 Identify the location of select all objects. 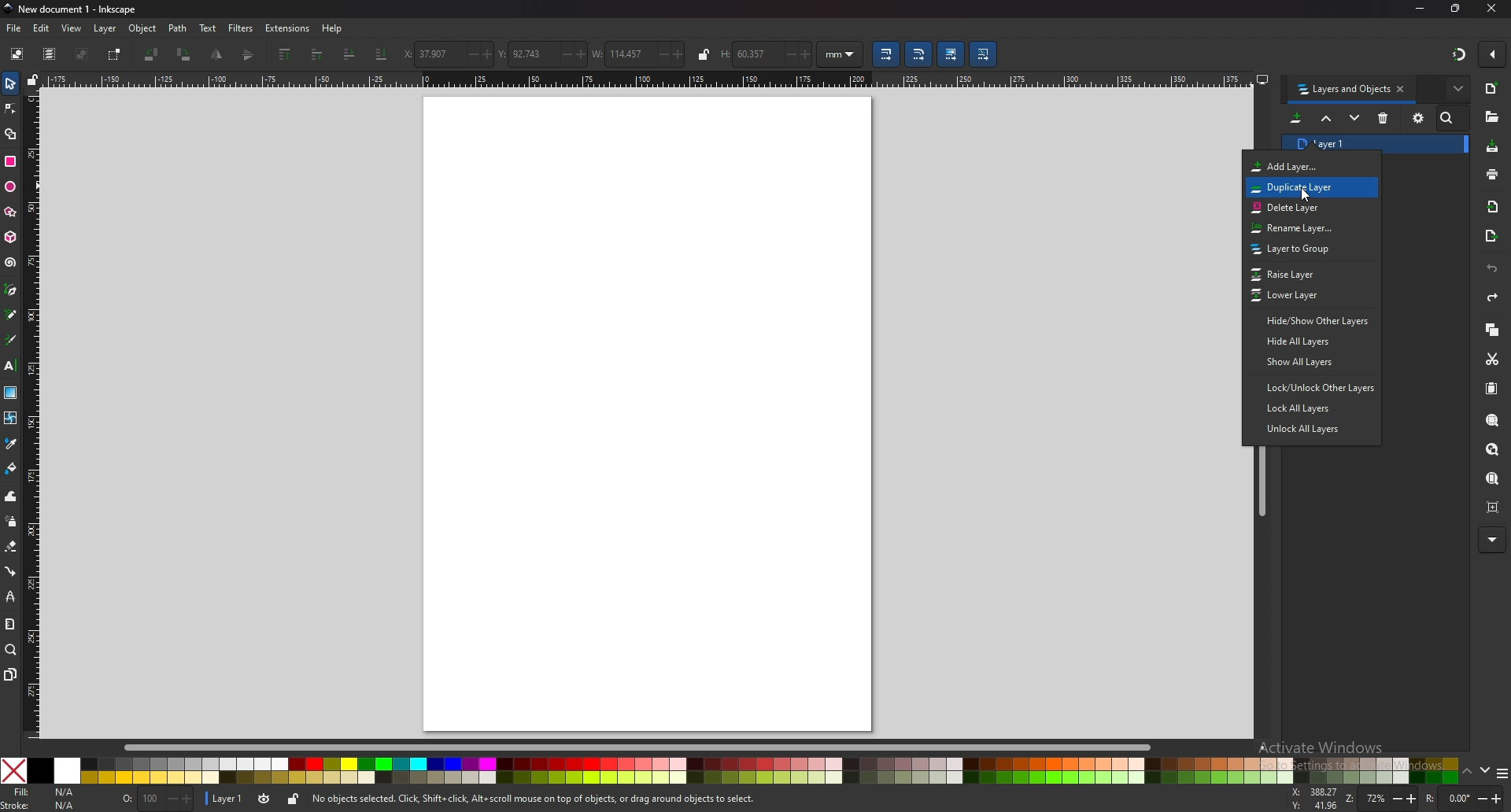
(17, 53).